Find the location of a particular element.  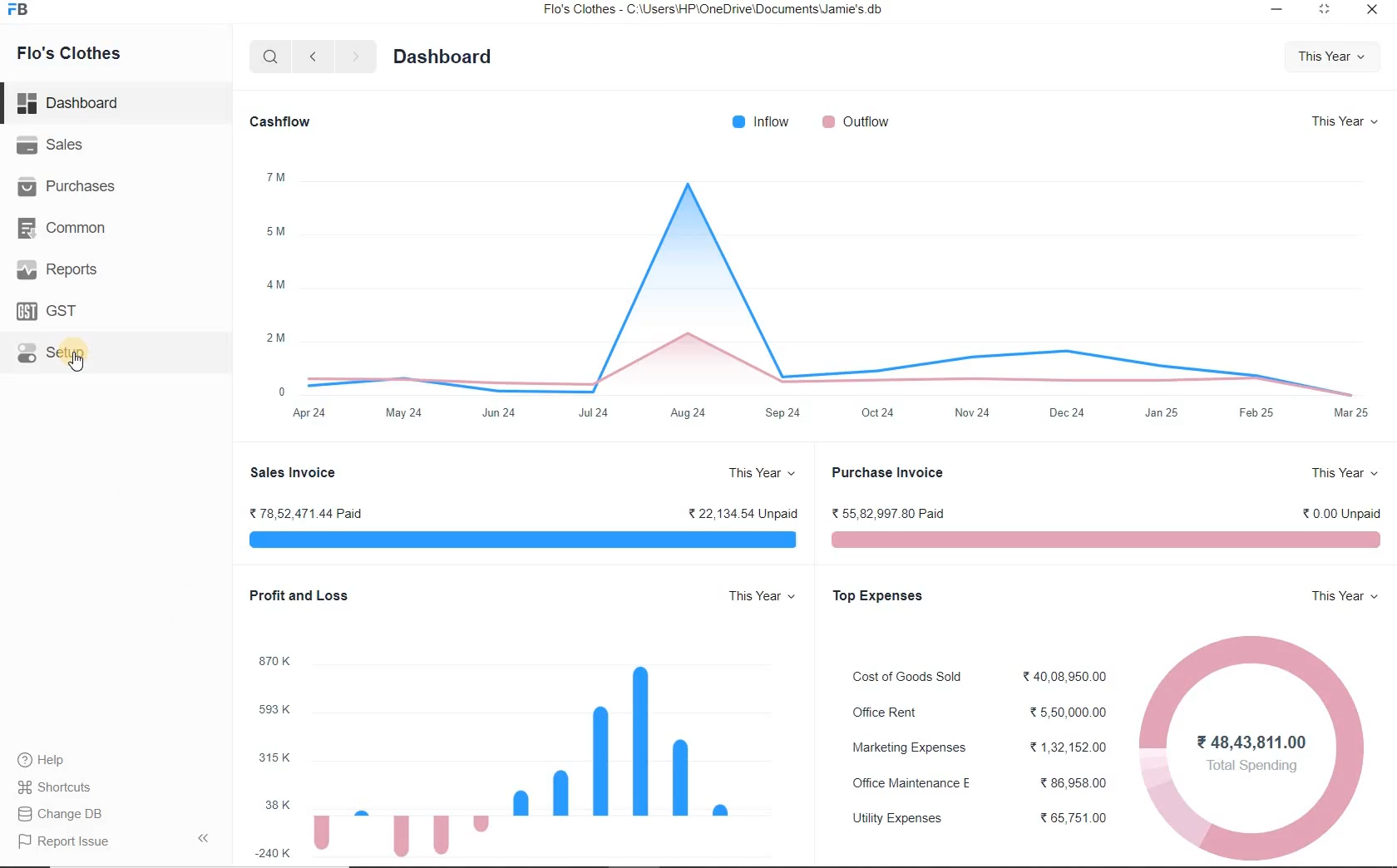

Purchases is located at coordinates (74, 185).